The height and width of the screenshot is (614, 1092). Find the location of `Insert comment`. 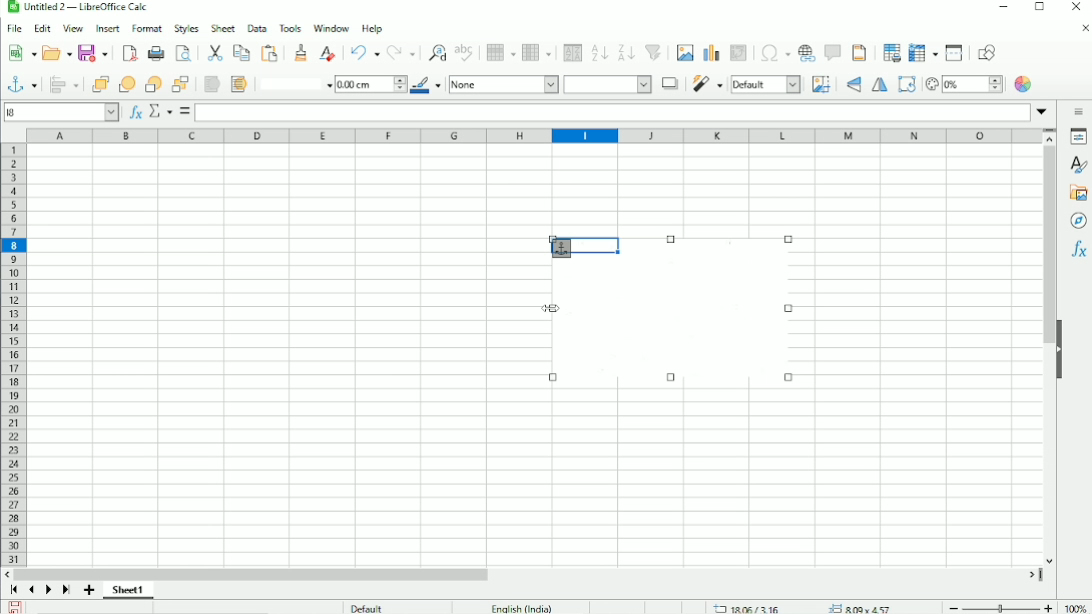

Insert comment is located at coordinates (832, 52).